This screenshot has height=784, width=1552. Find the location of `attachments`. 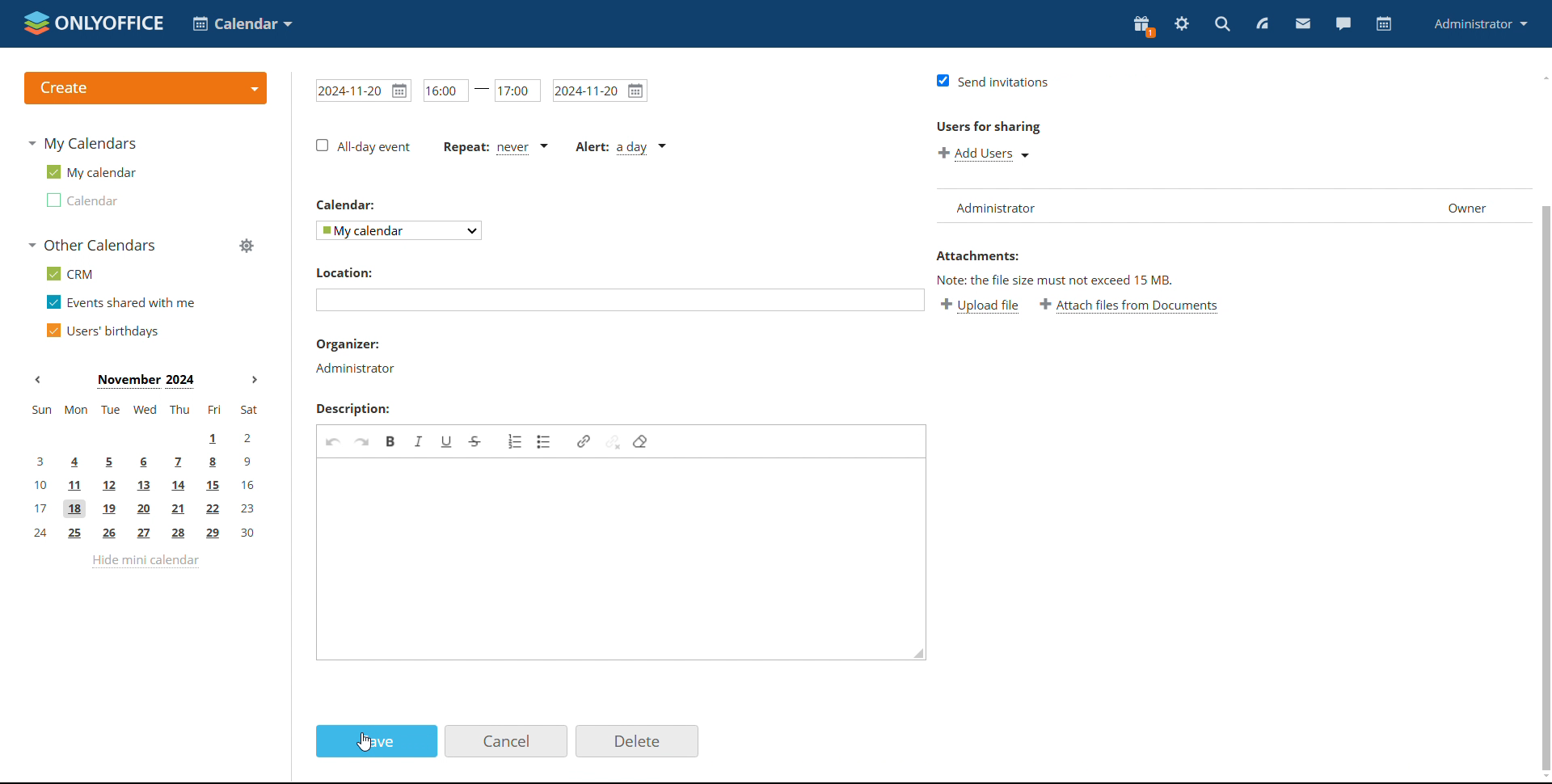

attachments is located at coordinates (977, 255).